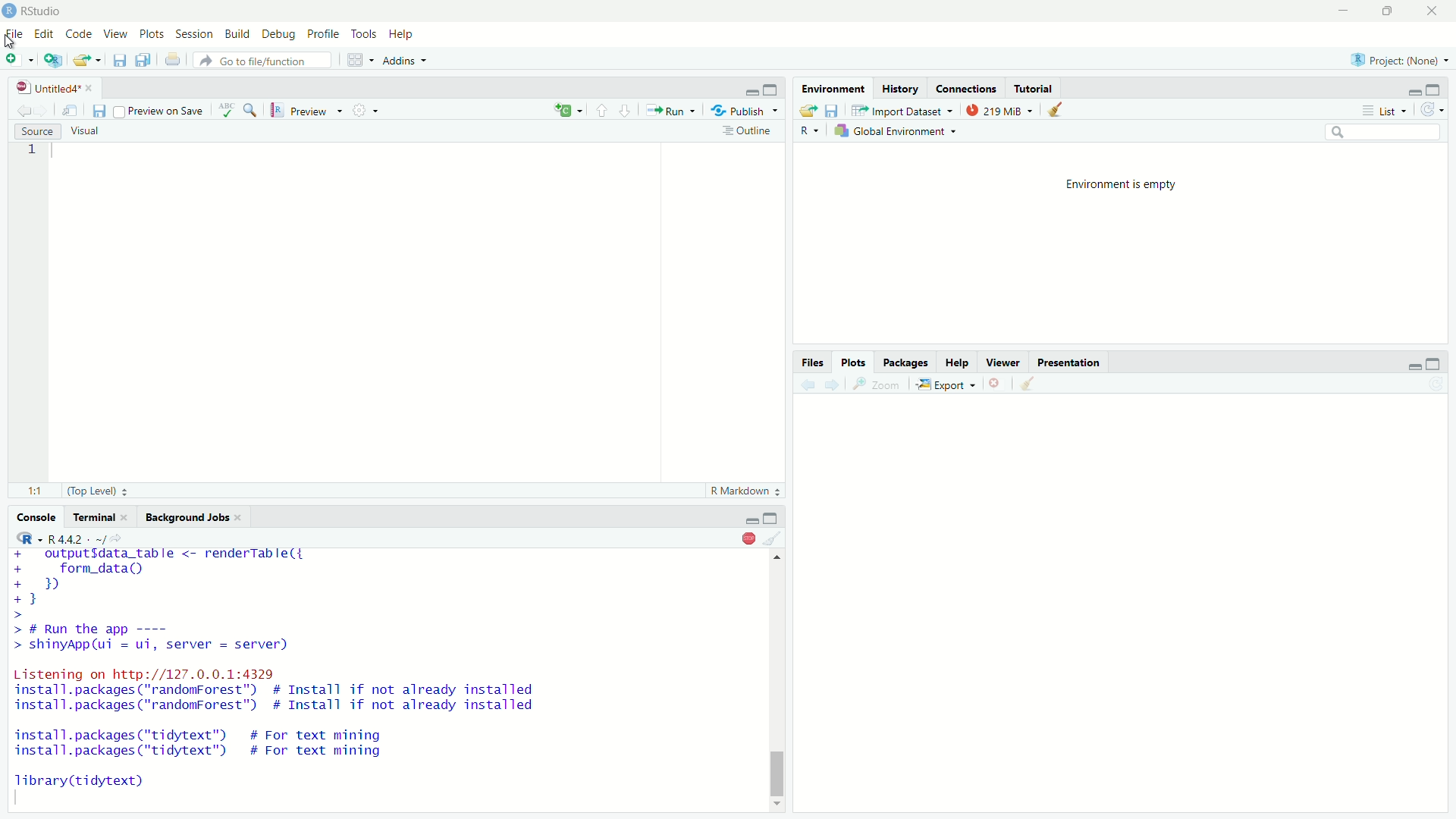 This screenshot has width=1456, height=819. What do you see at coordinates (30, 538) in the screenshot?
I see `Currently language used - R` at bounding box center [30, 538].